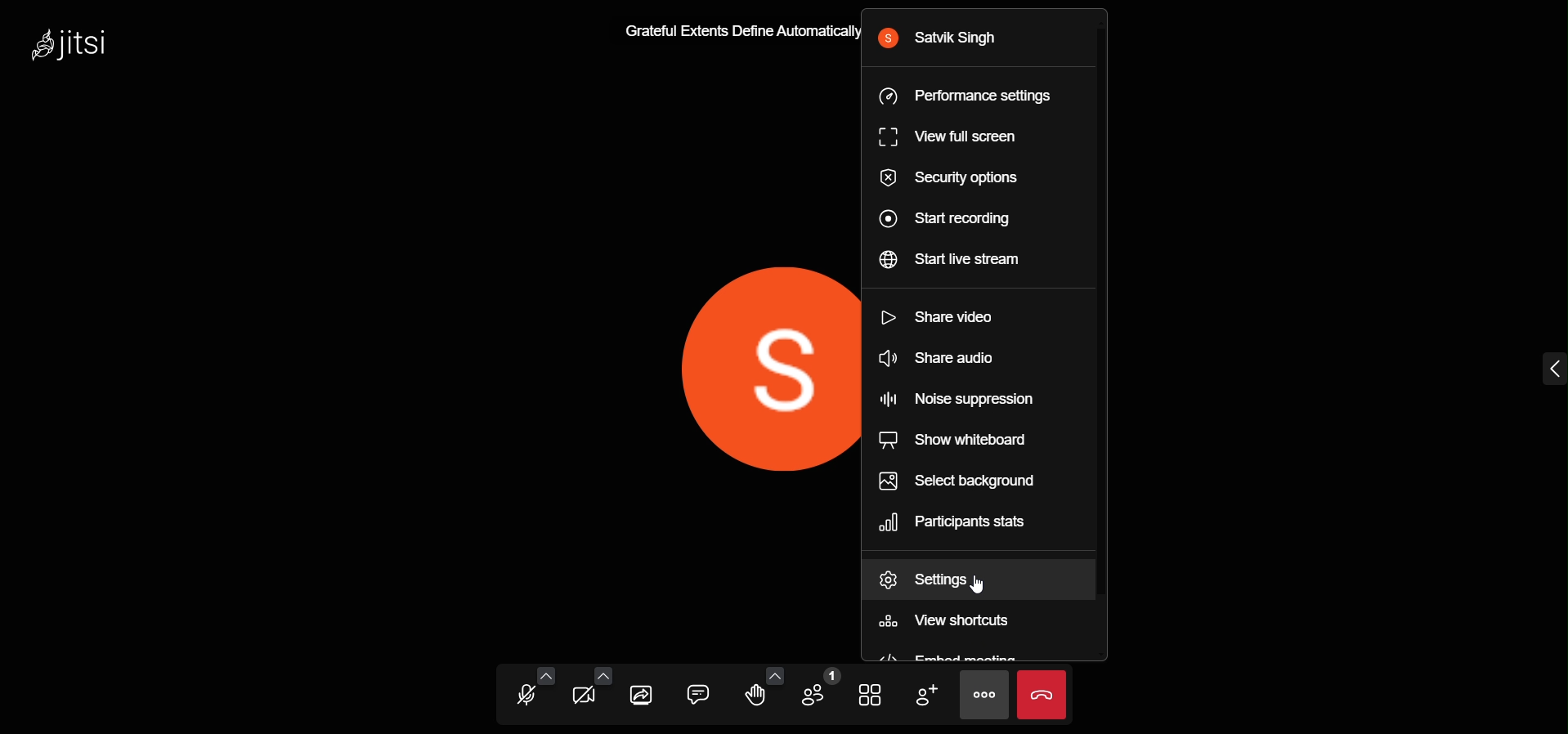  What do you see at coordinates (1518, 366) in the screenshot?
I see `expand` at bounding box center [1518, 366].